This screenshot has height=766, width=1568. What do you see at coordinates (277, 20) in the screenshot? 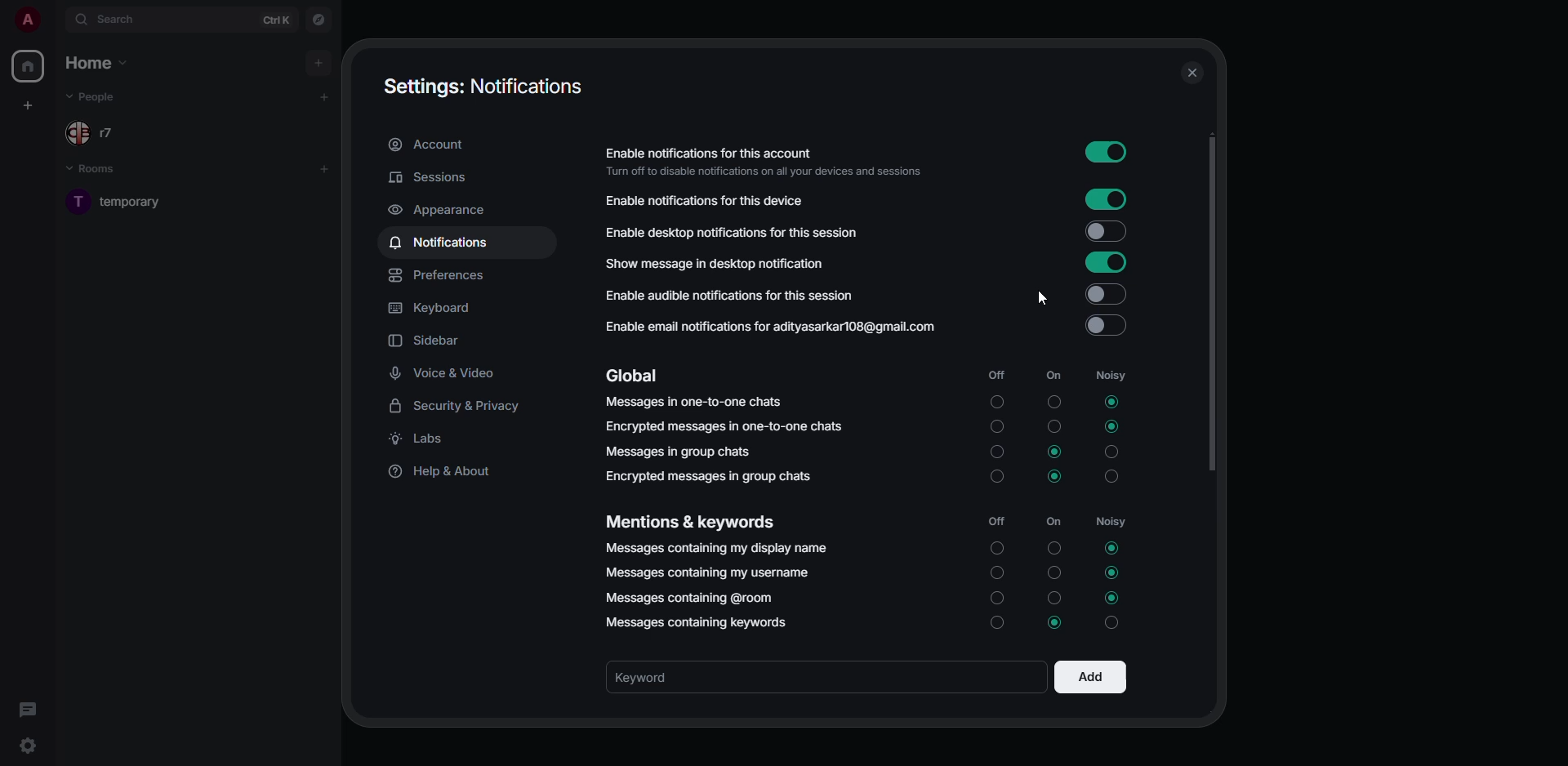
I see `ctrl K` at bounding box center [277, 20].